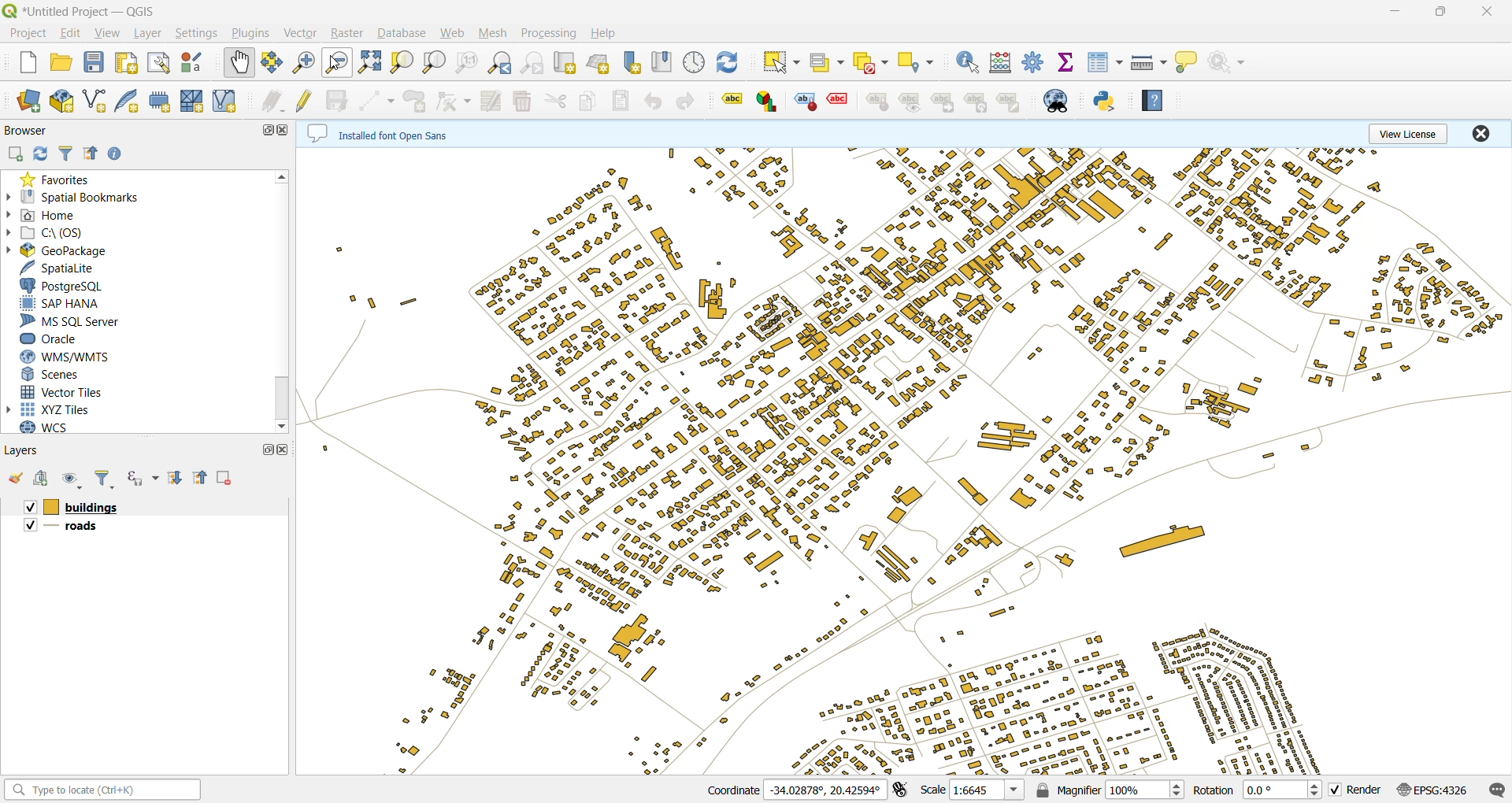 Image resolution: width=1512 pixels, height=803 pixels. I want to click on edit, so click(71, 33).